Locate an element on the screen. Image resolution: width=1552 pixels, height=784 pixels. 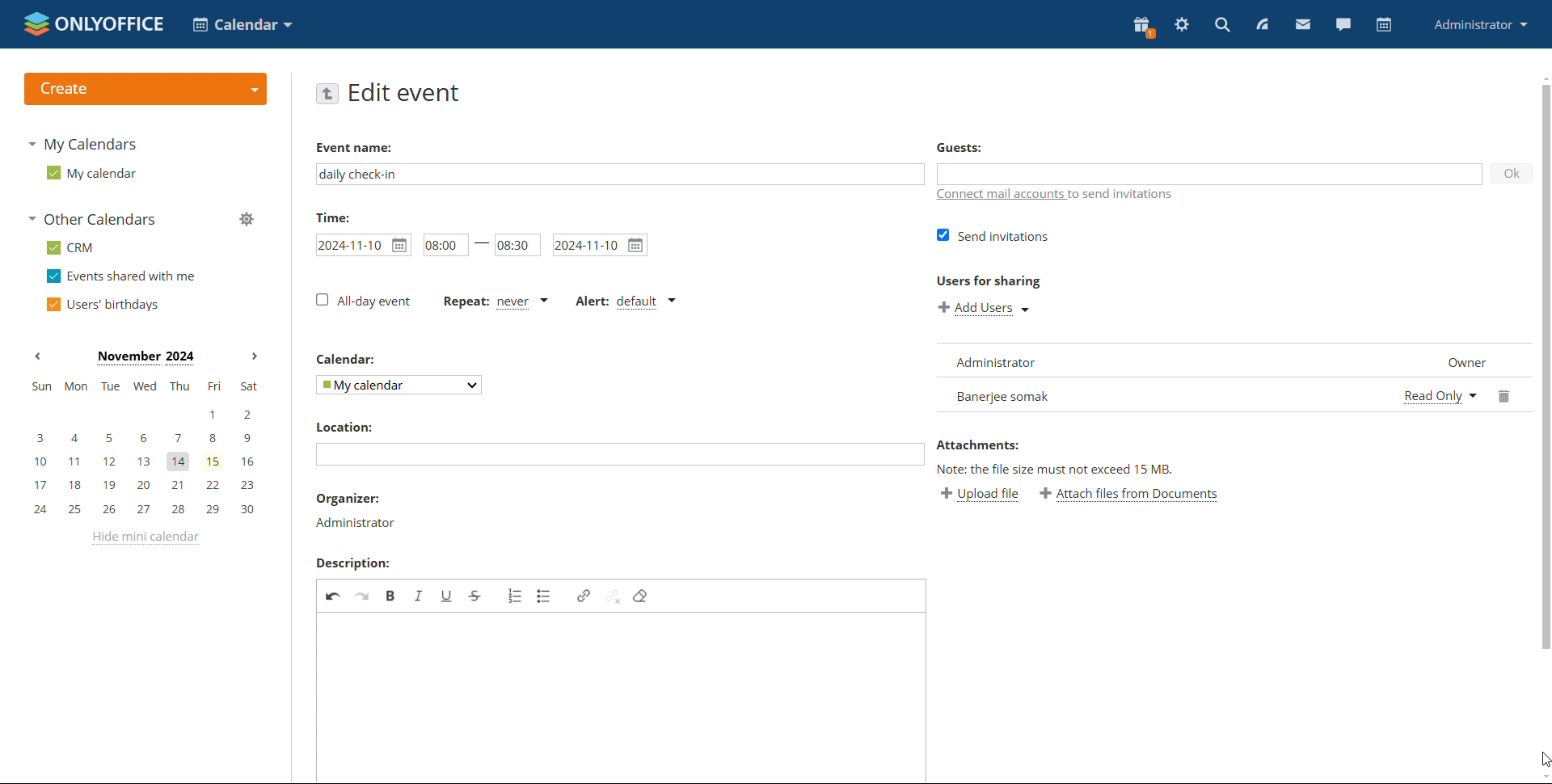
calendar: is located at coordinates (349, 361).